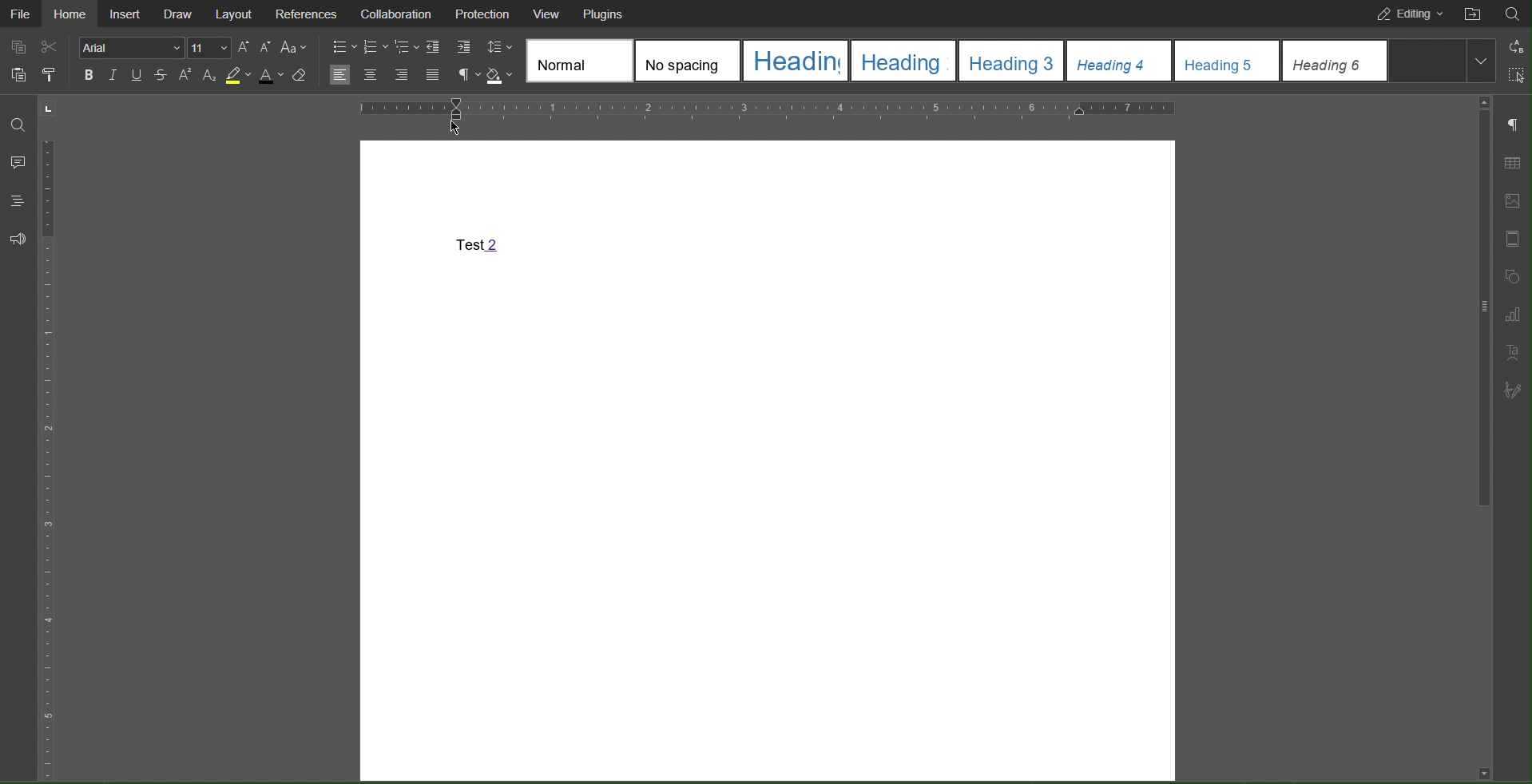 The image size is (1532, 784). Describe the element at coordinates (405, 46) in the screenshot. I see `Nested List` at that location.